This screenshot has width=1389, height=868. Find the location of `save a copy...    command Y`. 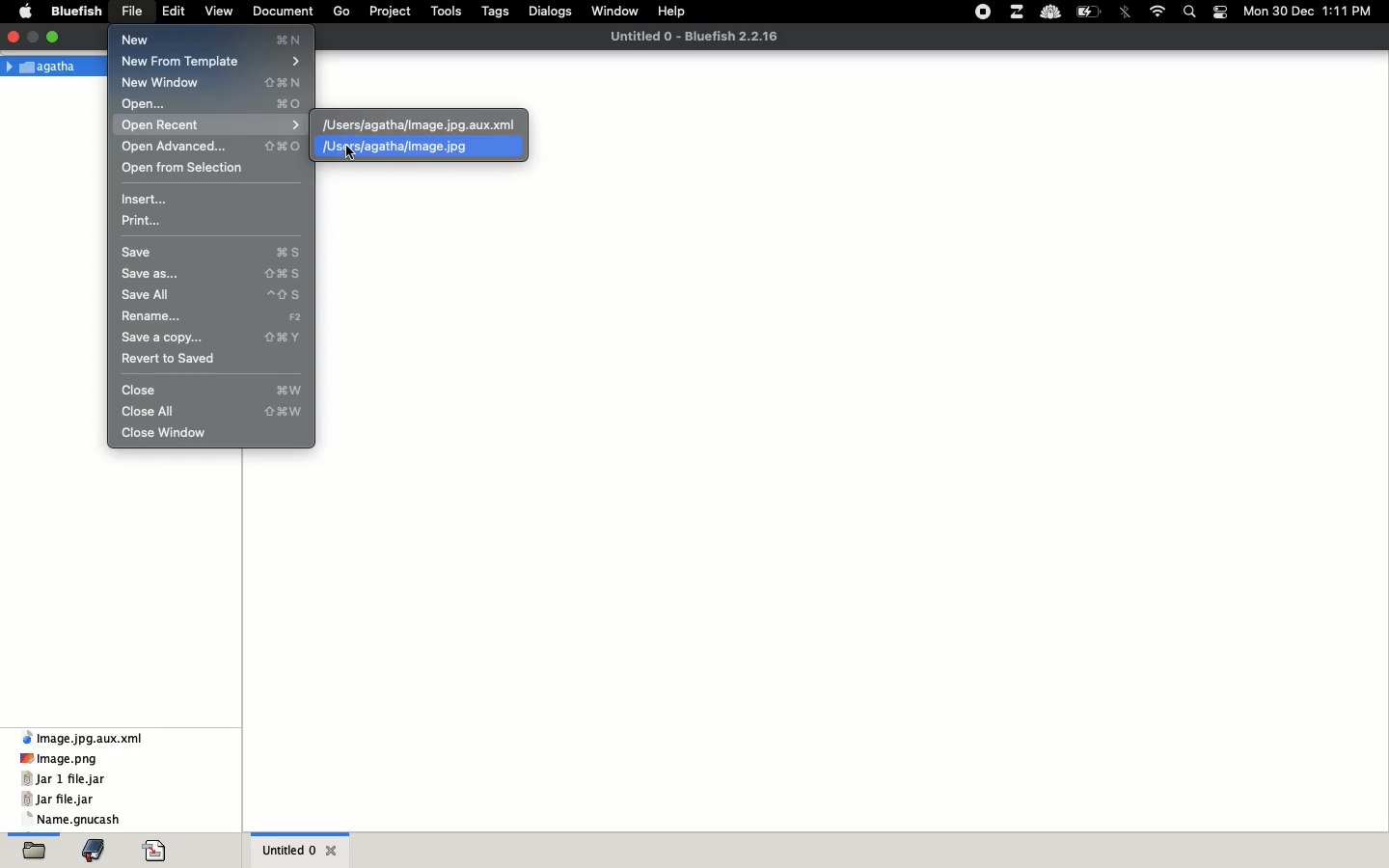

save a copy...    command Y is located at coordinates (213, 337).